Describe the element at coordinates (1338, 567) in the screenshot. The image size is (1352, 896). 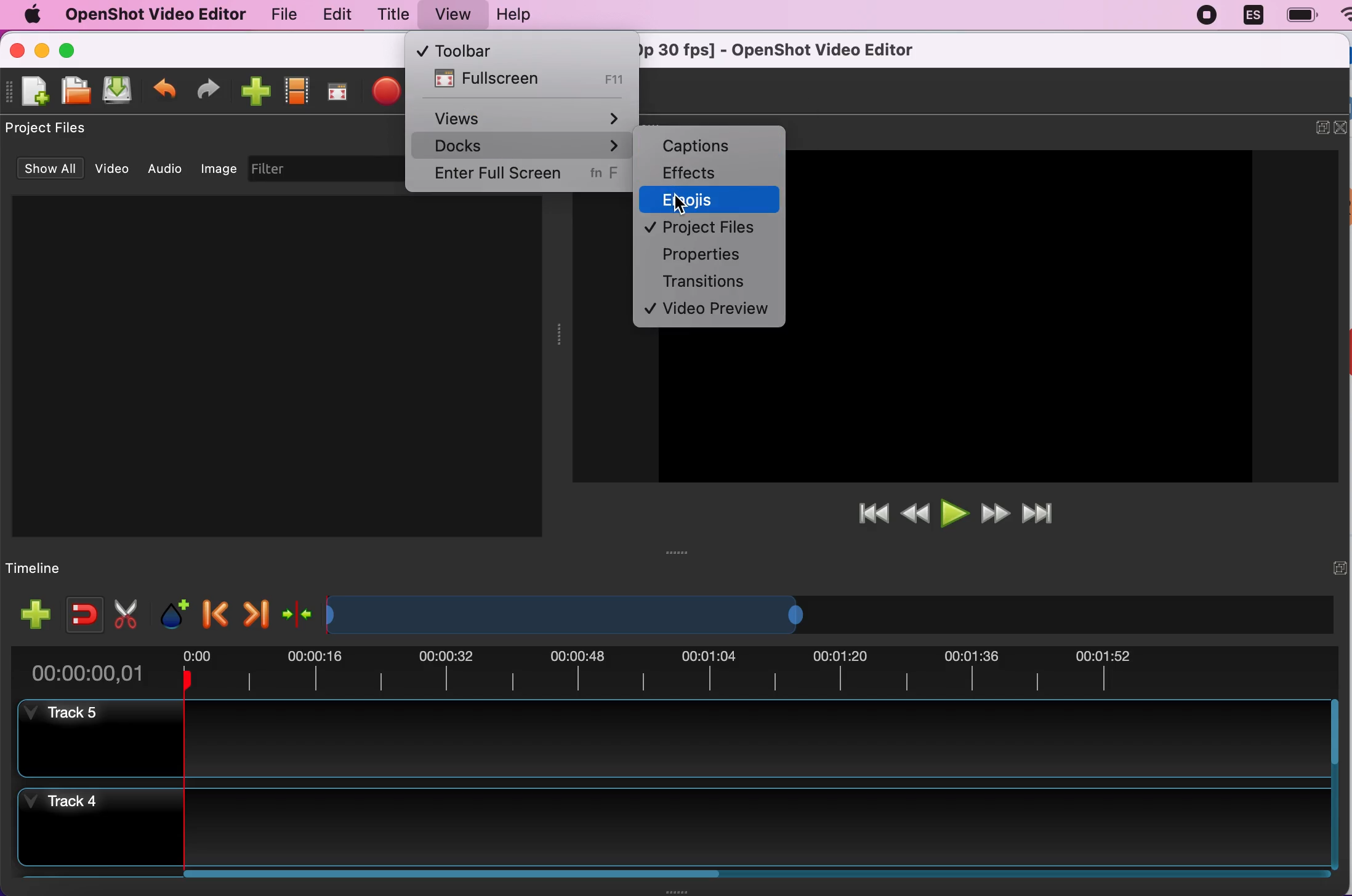
I see `expand/hide` at that location.